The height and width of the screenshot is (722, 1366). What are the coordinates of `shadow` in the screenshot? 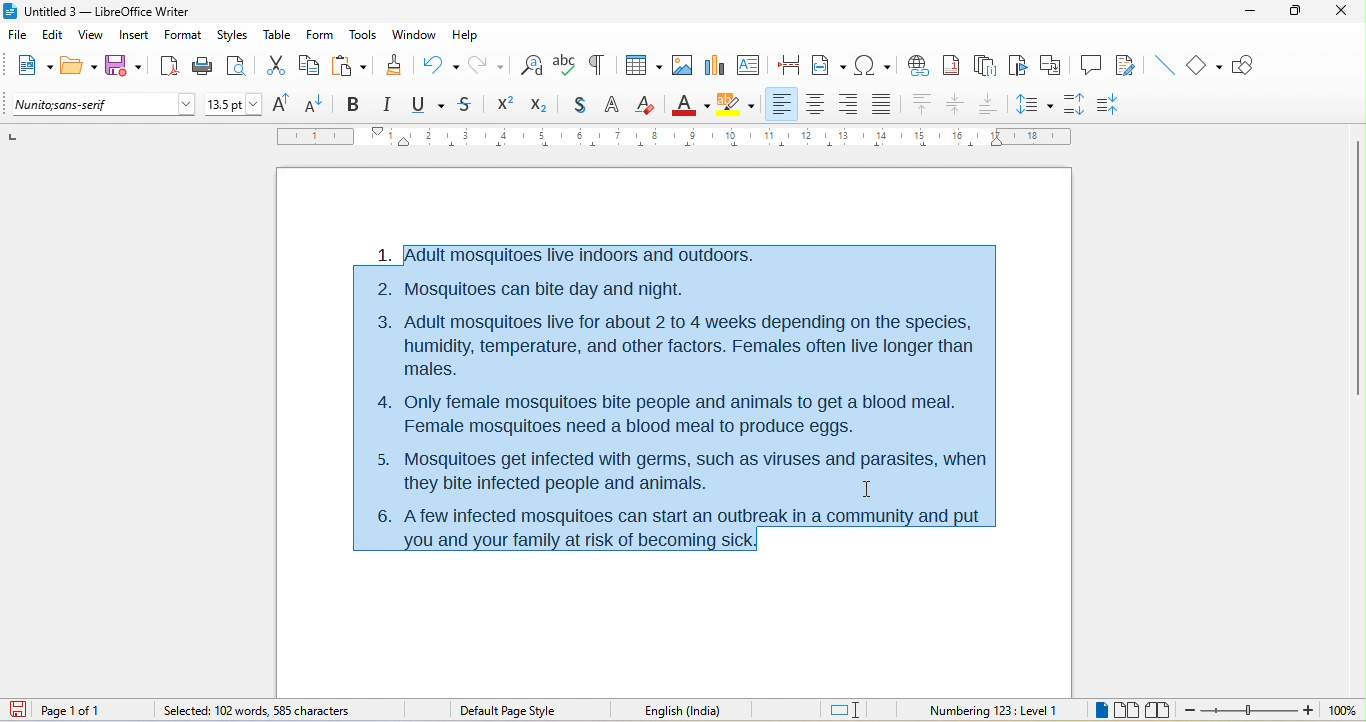 It's located at (573, 106).